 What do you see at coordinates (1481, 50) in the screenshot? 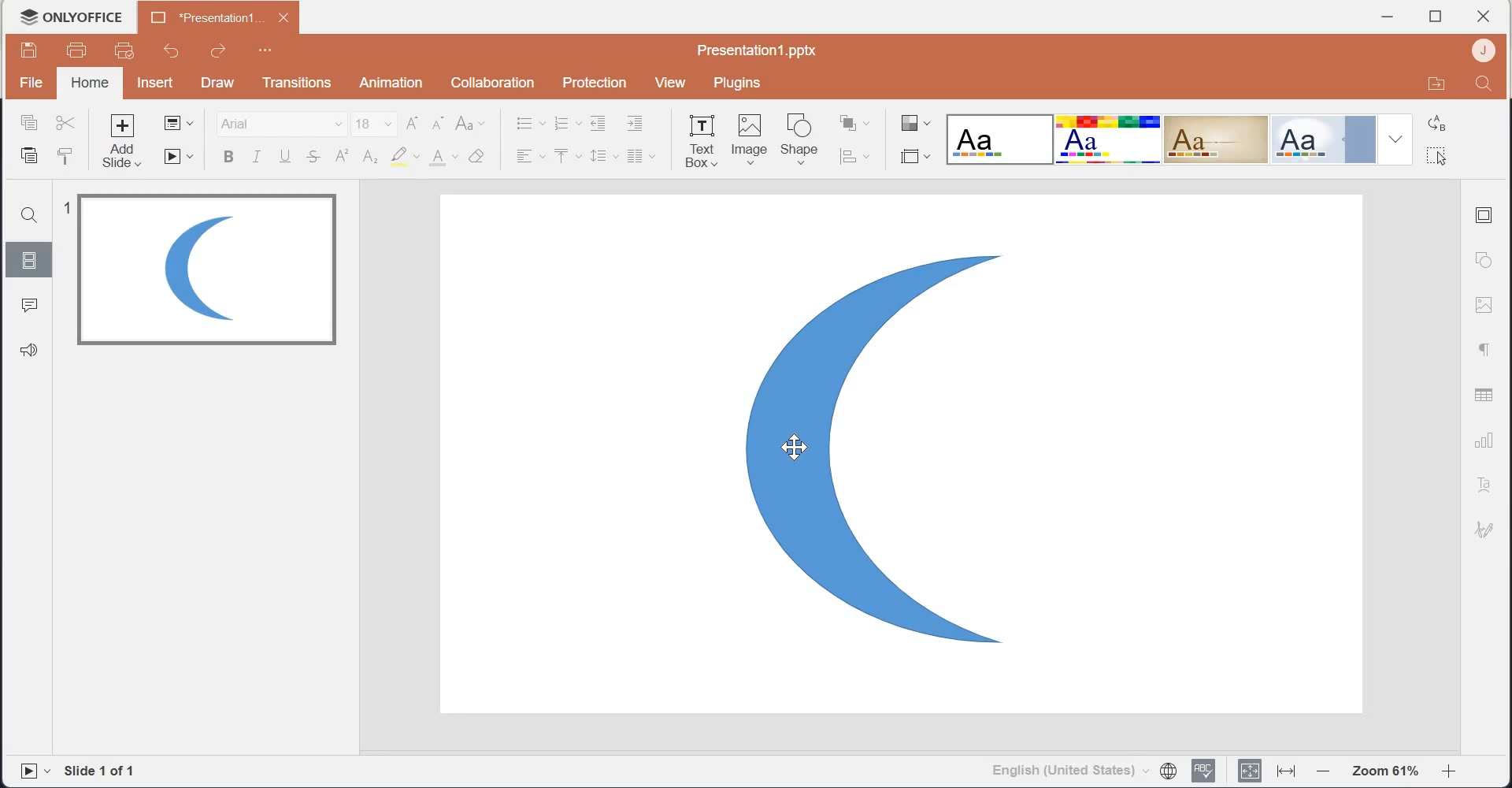
I see `Account` at bounding box center [1481, 50].